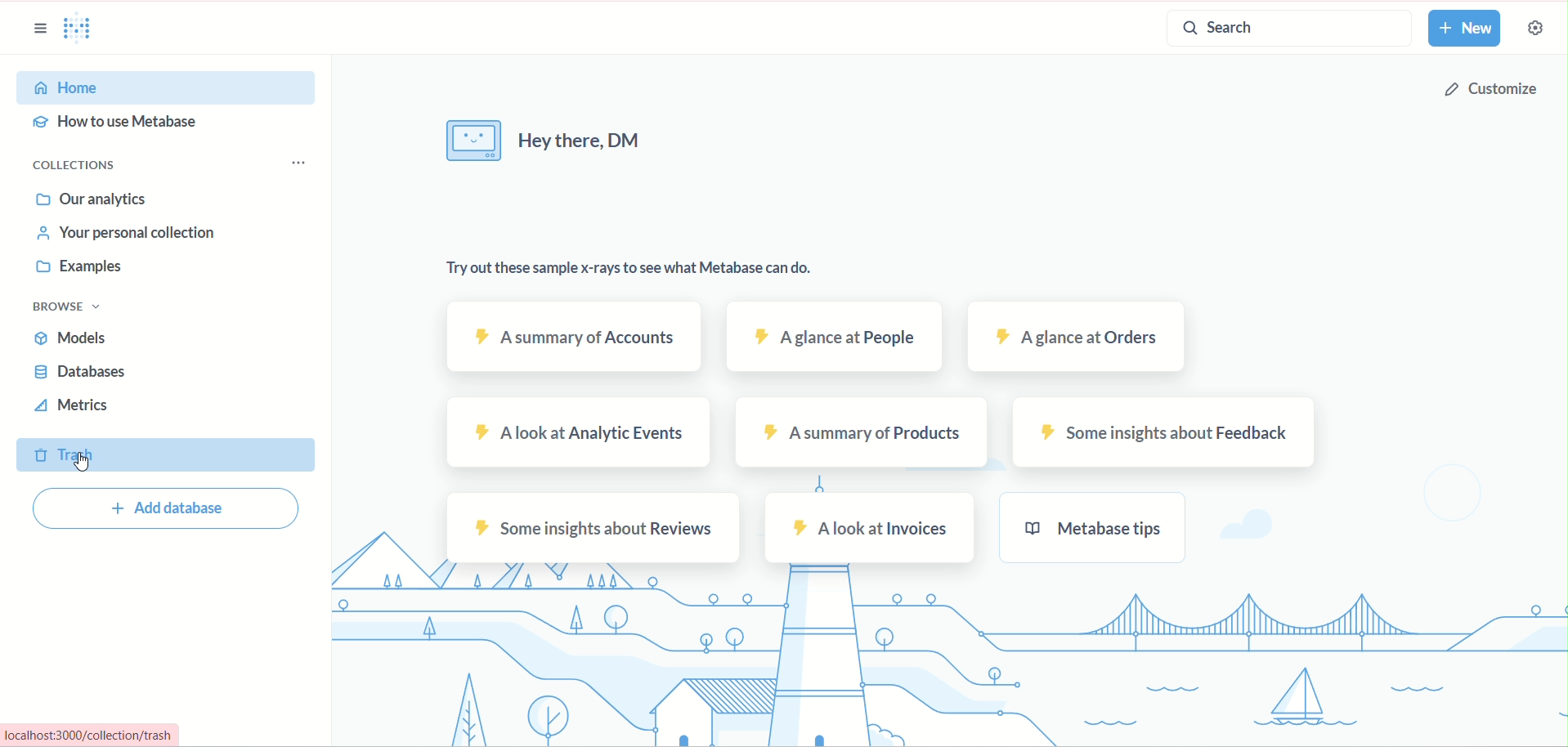 This screenshot has height=747, width=1568. I want to click on sidebar, so click(40, 30).